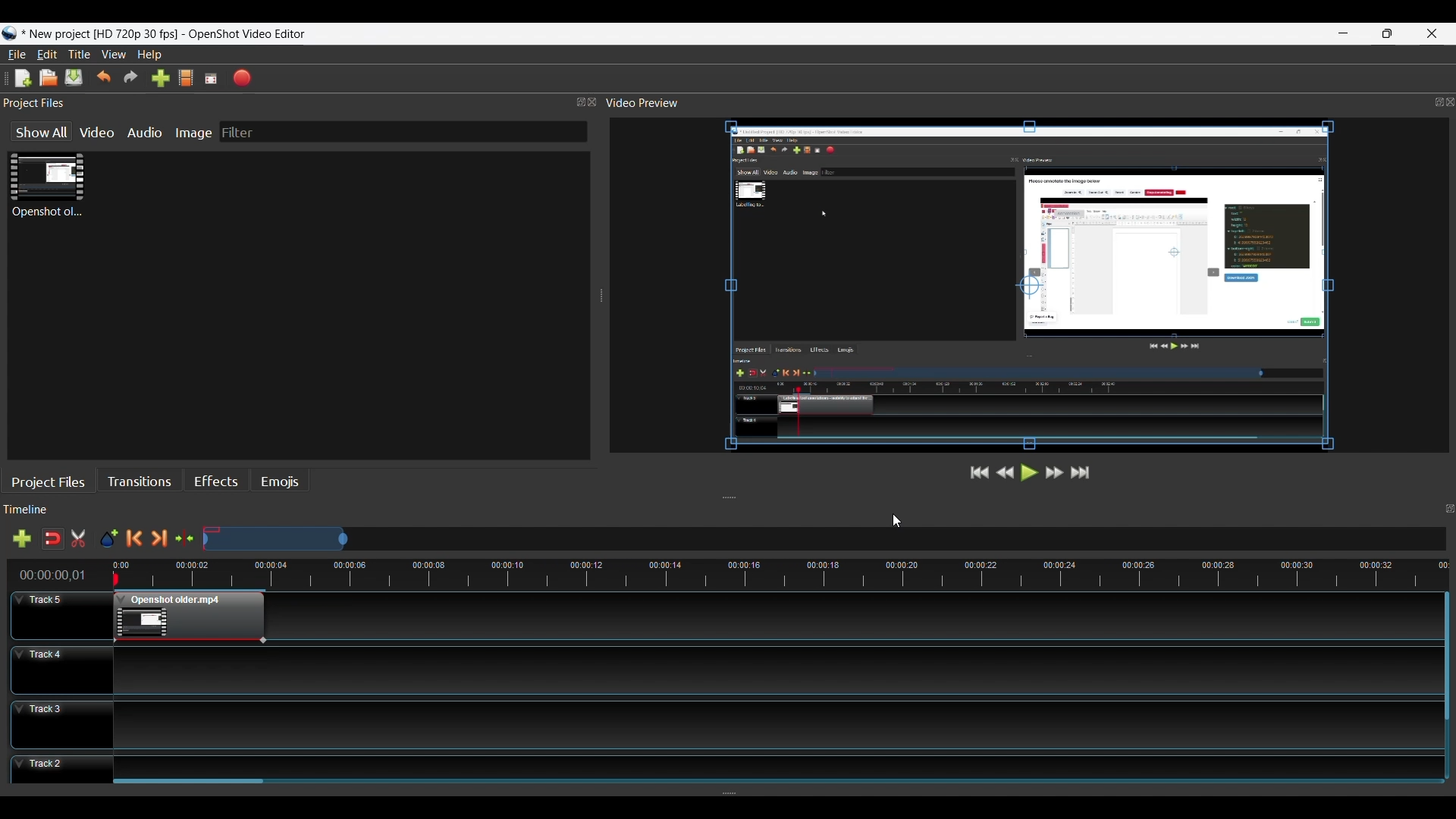 The height and width of the screenshot is (819, 1456). What do you see at coordinates (1032, 288) in the screenshot?
I see `Preview Window` at bounding box center [1032, 288].